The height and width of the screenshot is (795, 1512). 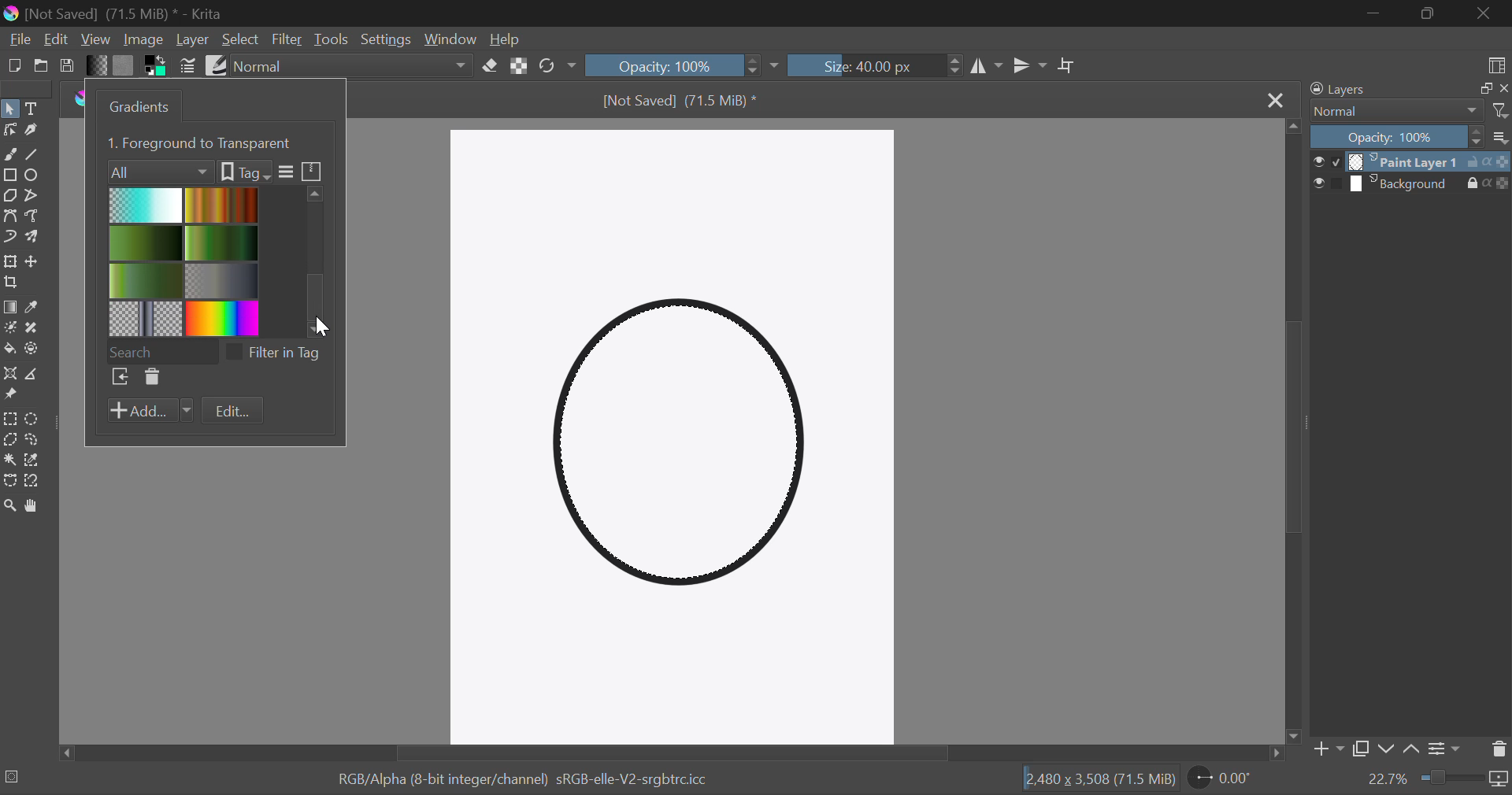 What do you see at coordinates (68, 66) in the screenshot?
I see `Save` at bounding box center [68, 66].